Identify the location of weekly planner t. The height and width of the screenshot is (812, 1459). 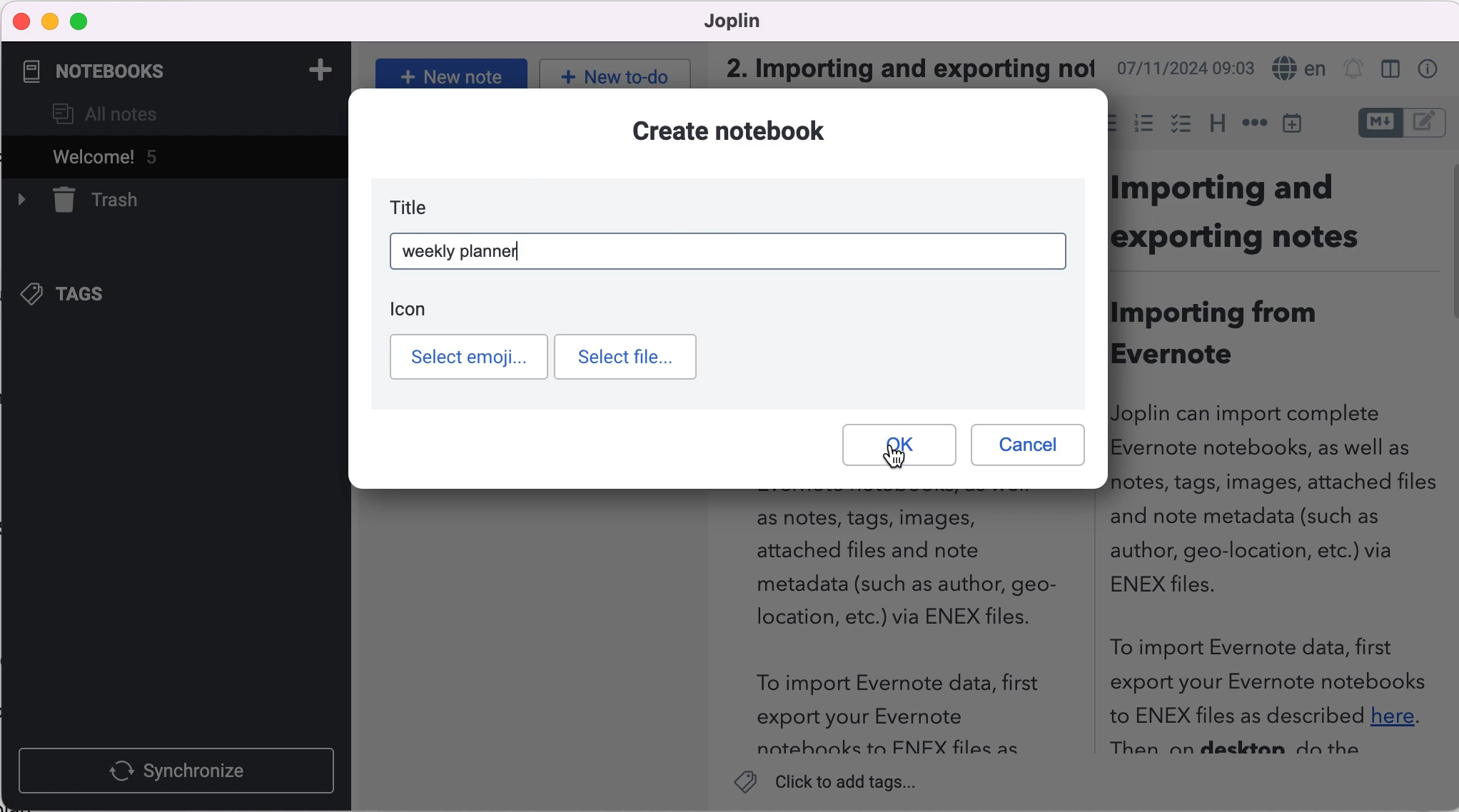
(468, 251).